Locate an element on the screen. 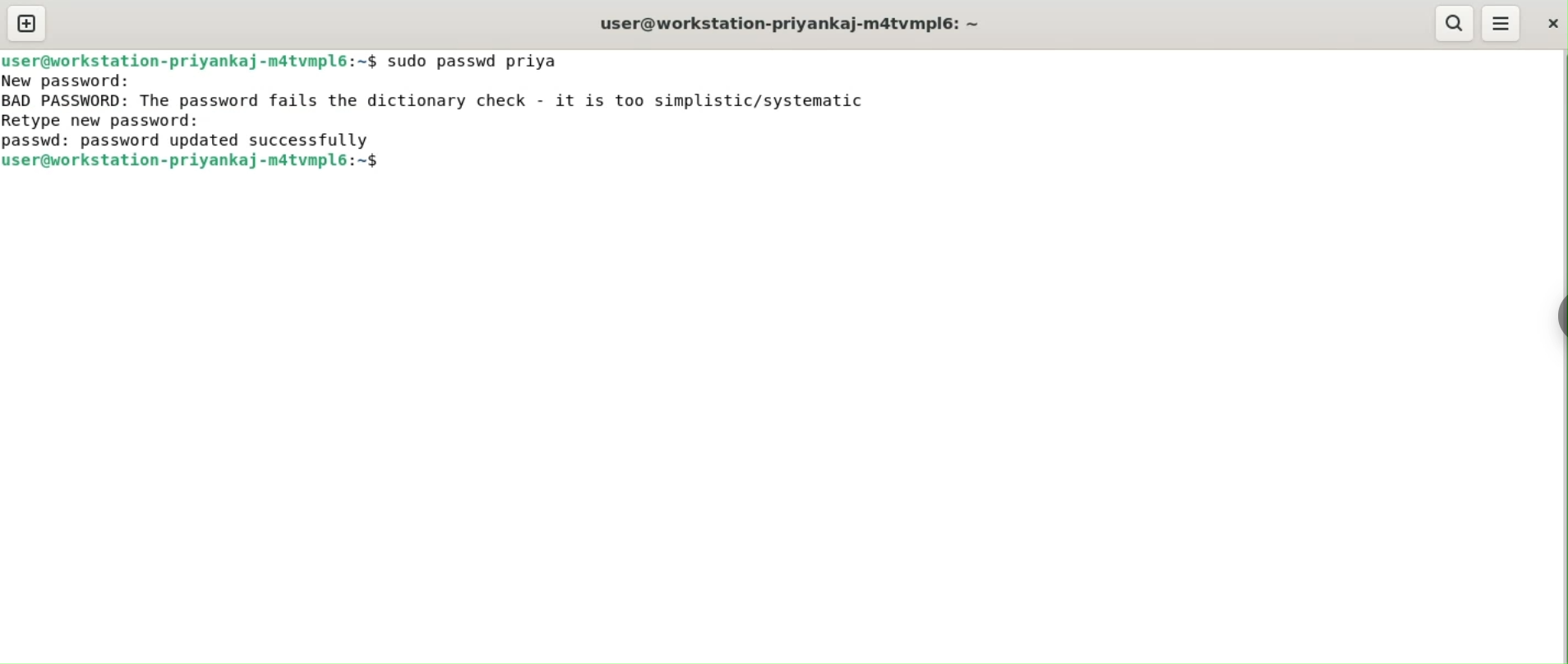  menu is located at coordinates (1502, 23).